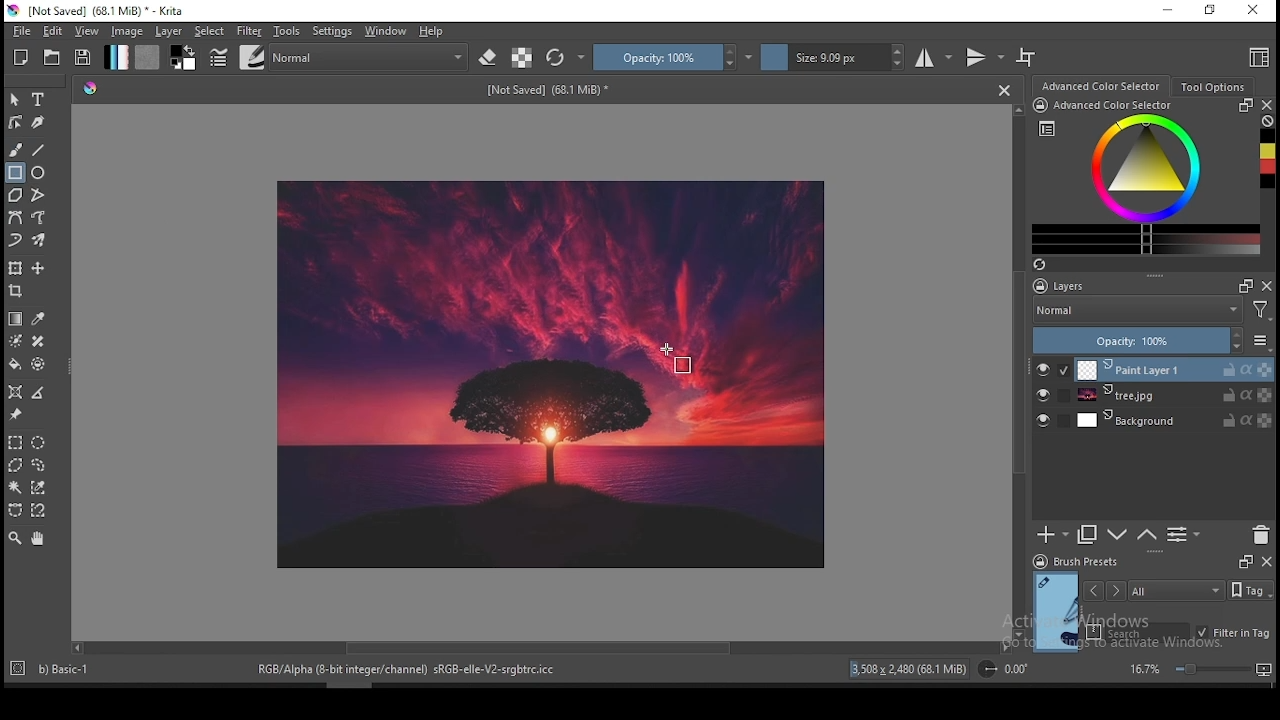 The image size is (1280, 720). I want to click on scroll bar, so click(343, 684).